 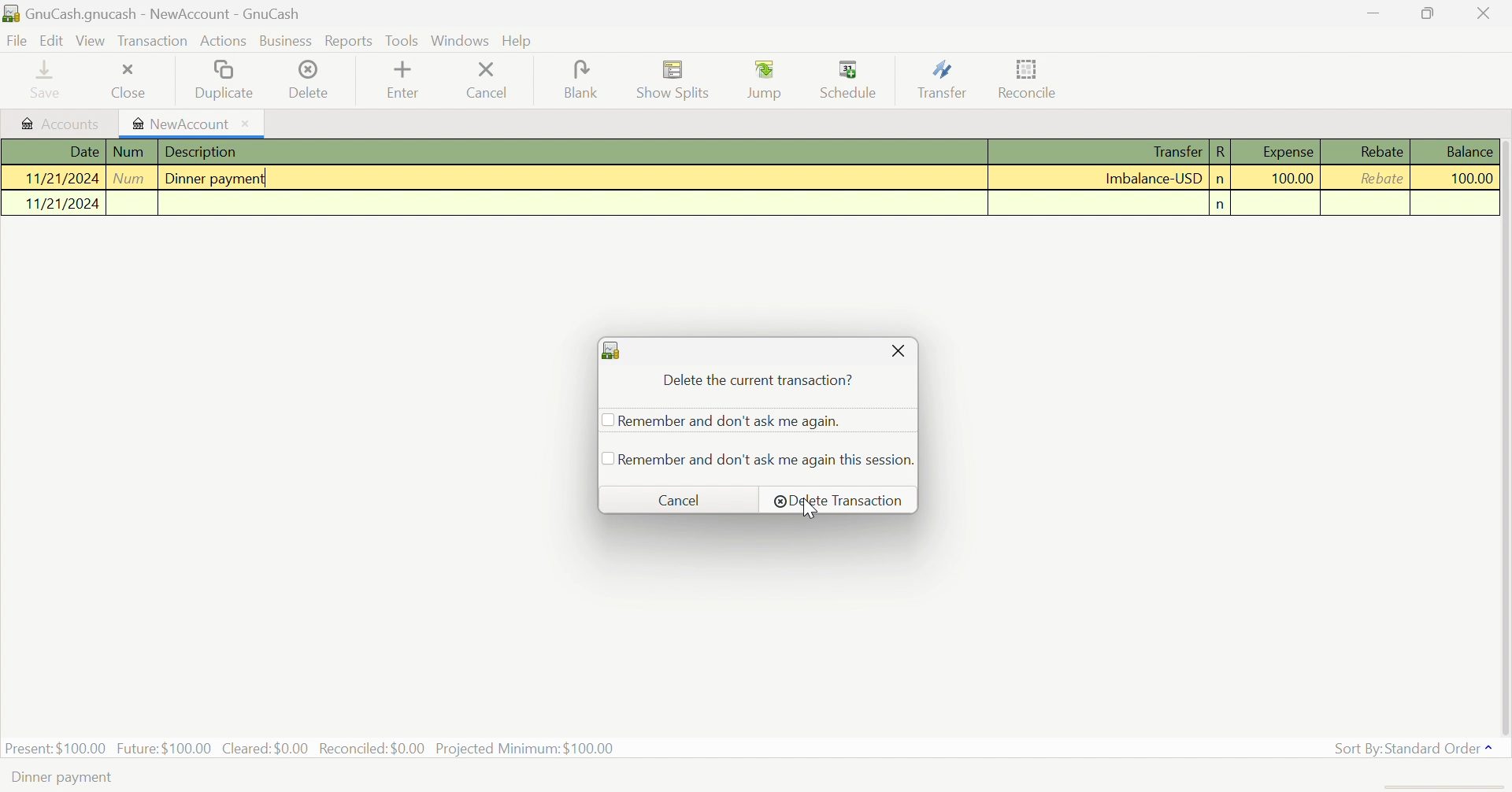 I want to click on Cancel, so click(x=498, y=80).